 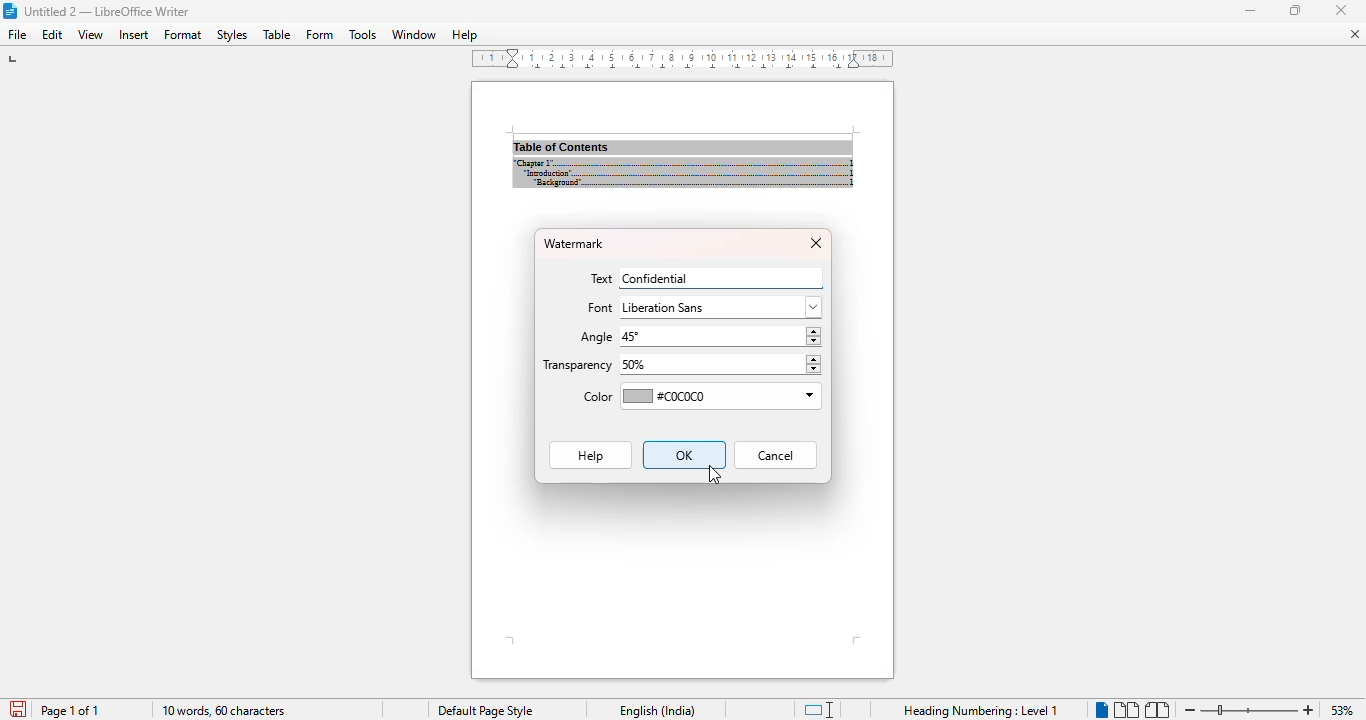 I want to click on color, so click(x=597, y=397).